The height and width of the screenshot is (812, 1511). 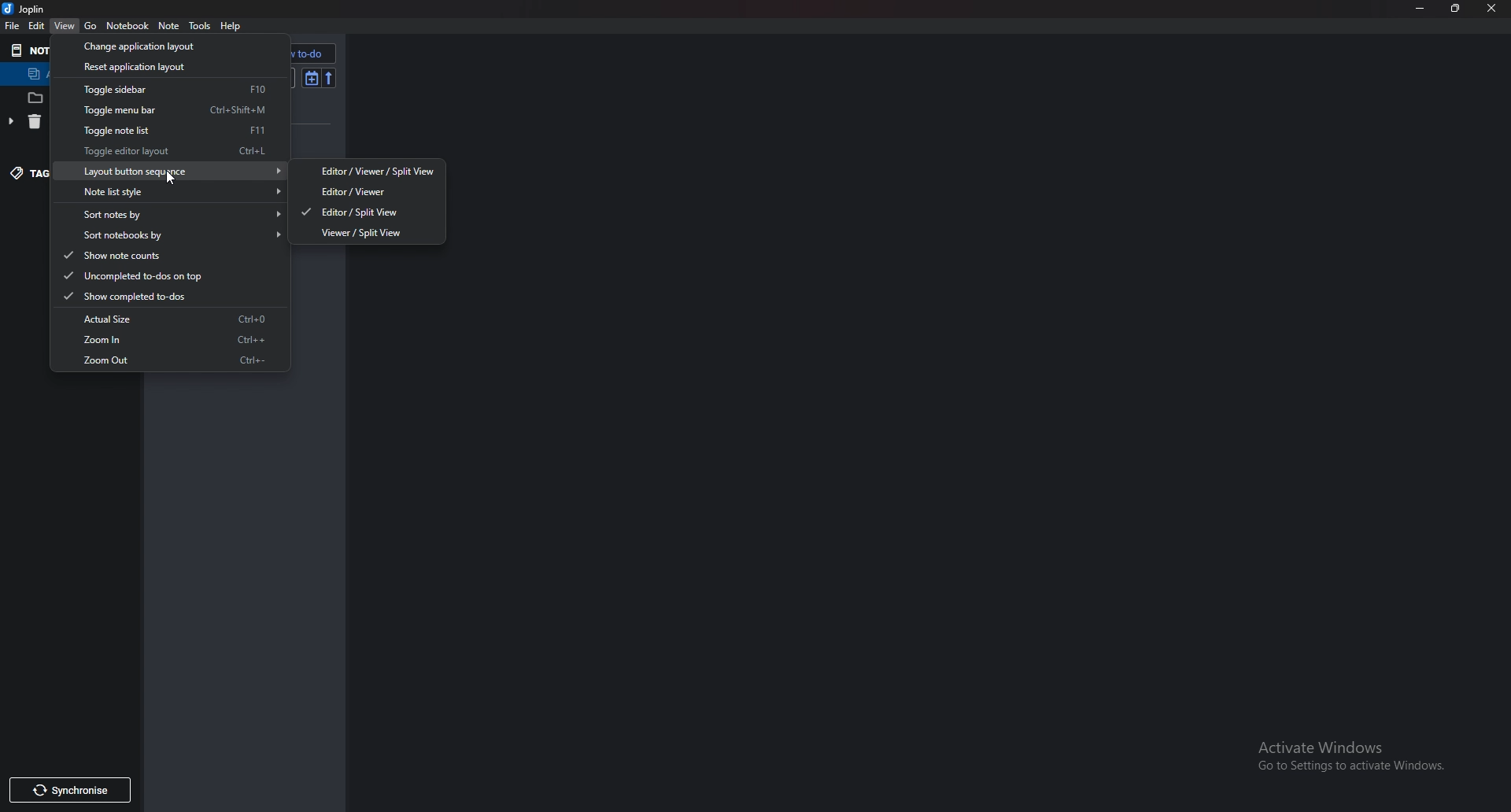 What do you see at coordinates (67, 26) in the screenshot?
I see `View` at bounding box center [67, 26].